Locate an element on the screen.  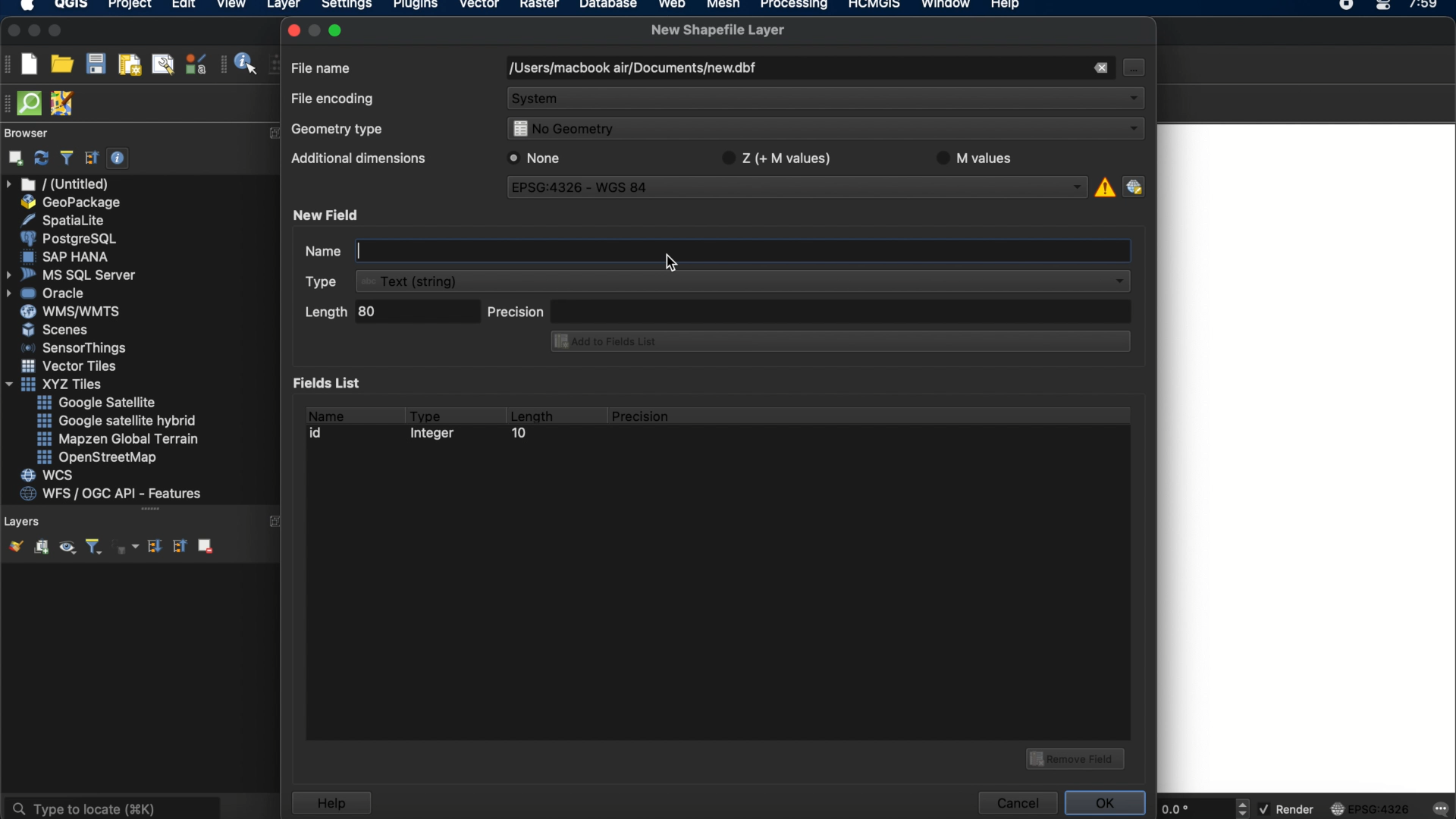
view is located at coordinates (231, 6).